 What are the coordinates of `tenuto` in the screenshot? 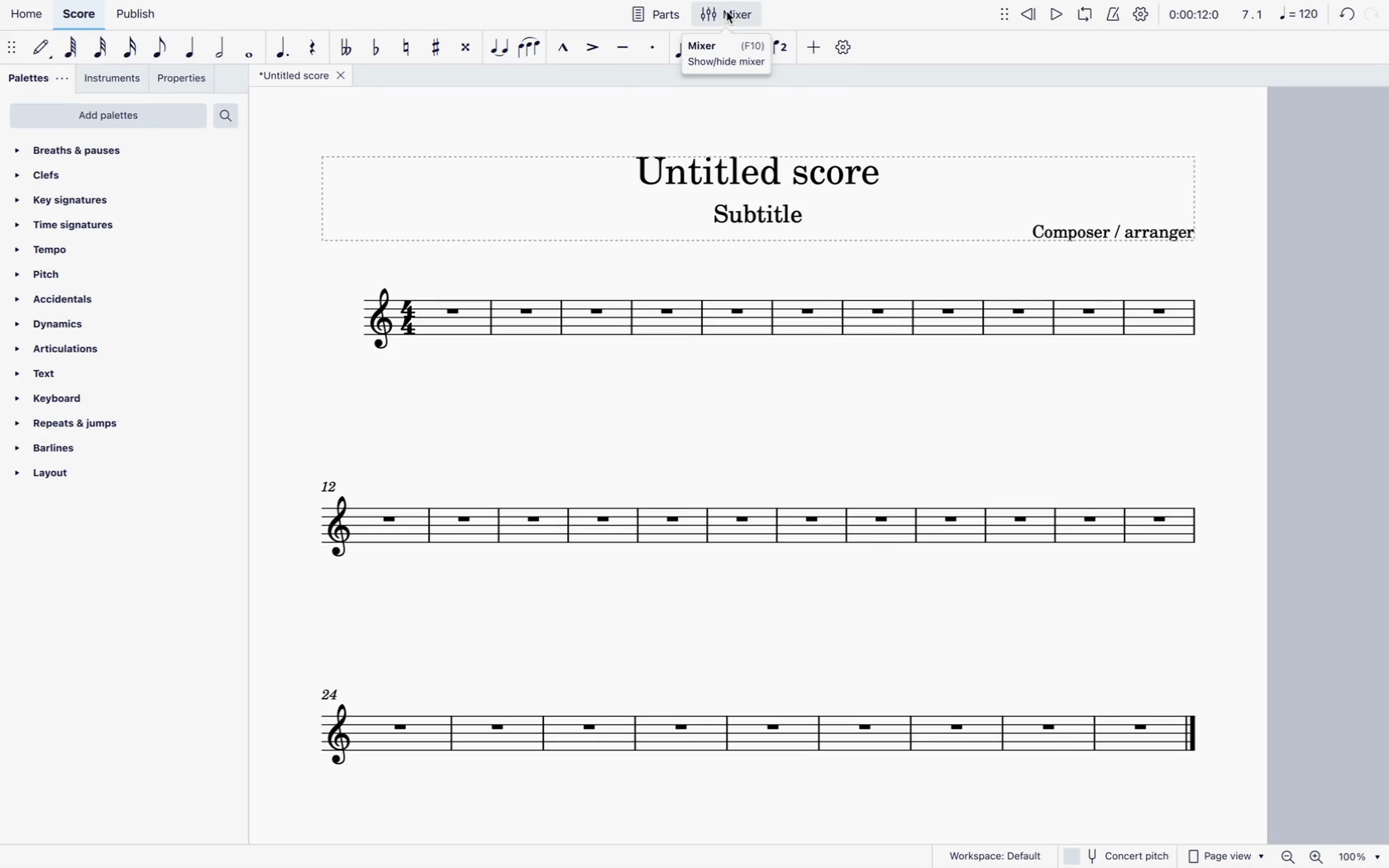 It's located at (621, 48).